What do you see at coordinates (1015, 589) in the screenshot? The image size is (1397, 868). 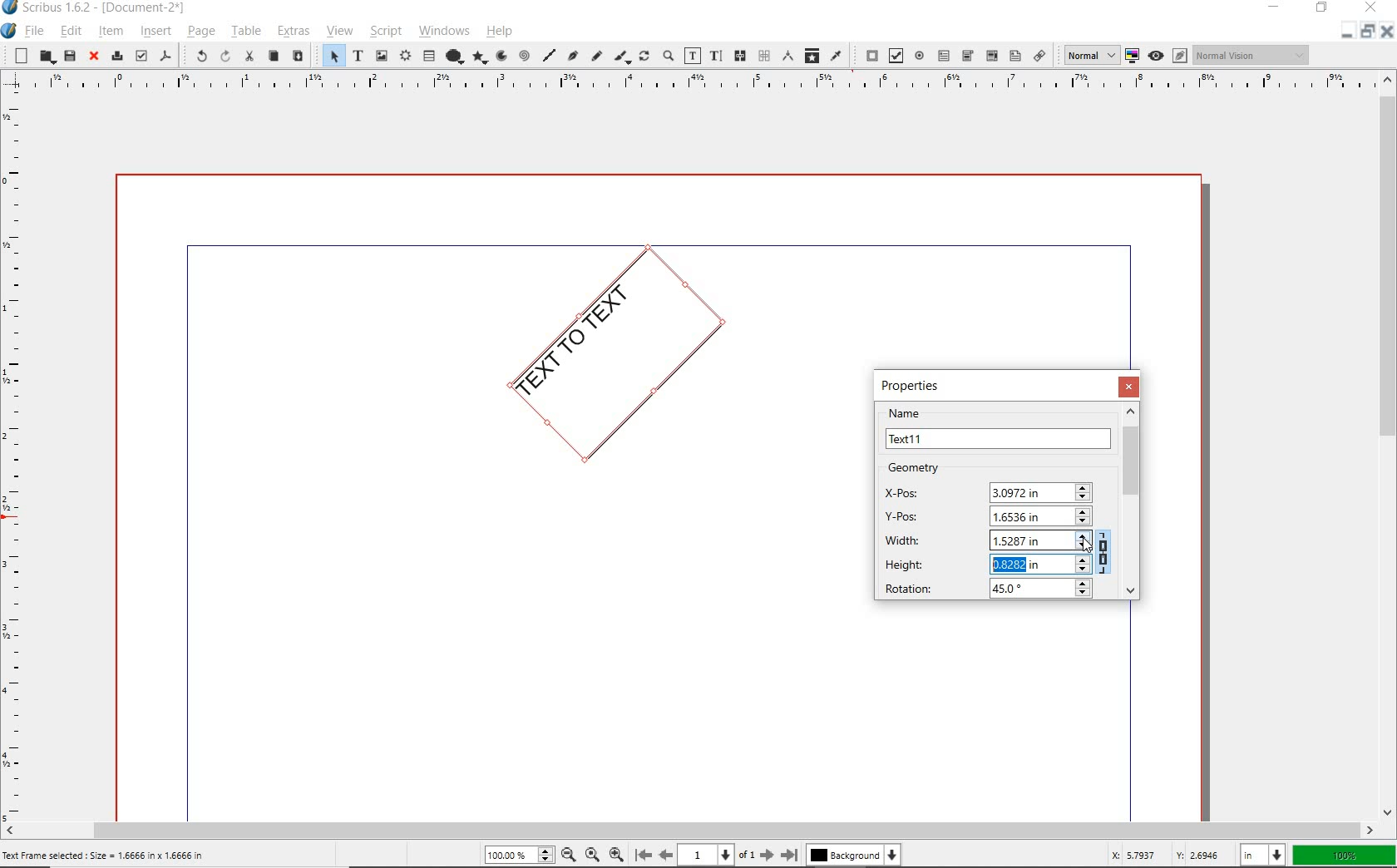 I see `45 DEGREES ADDED` at bounding box center [1015, 589].